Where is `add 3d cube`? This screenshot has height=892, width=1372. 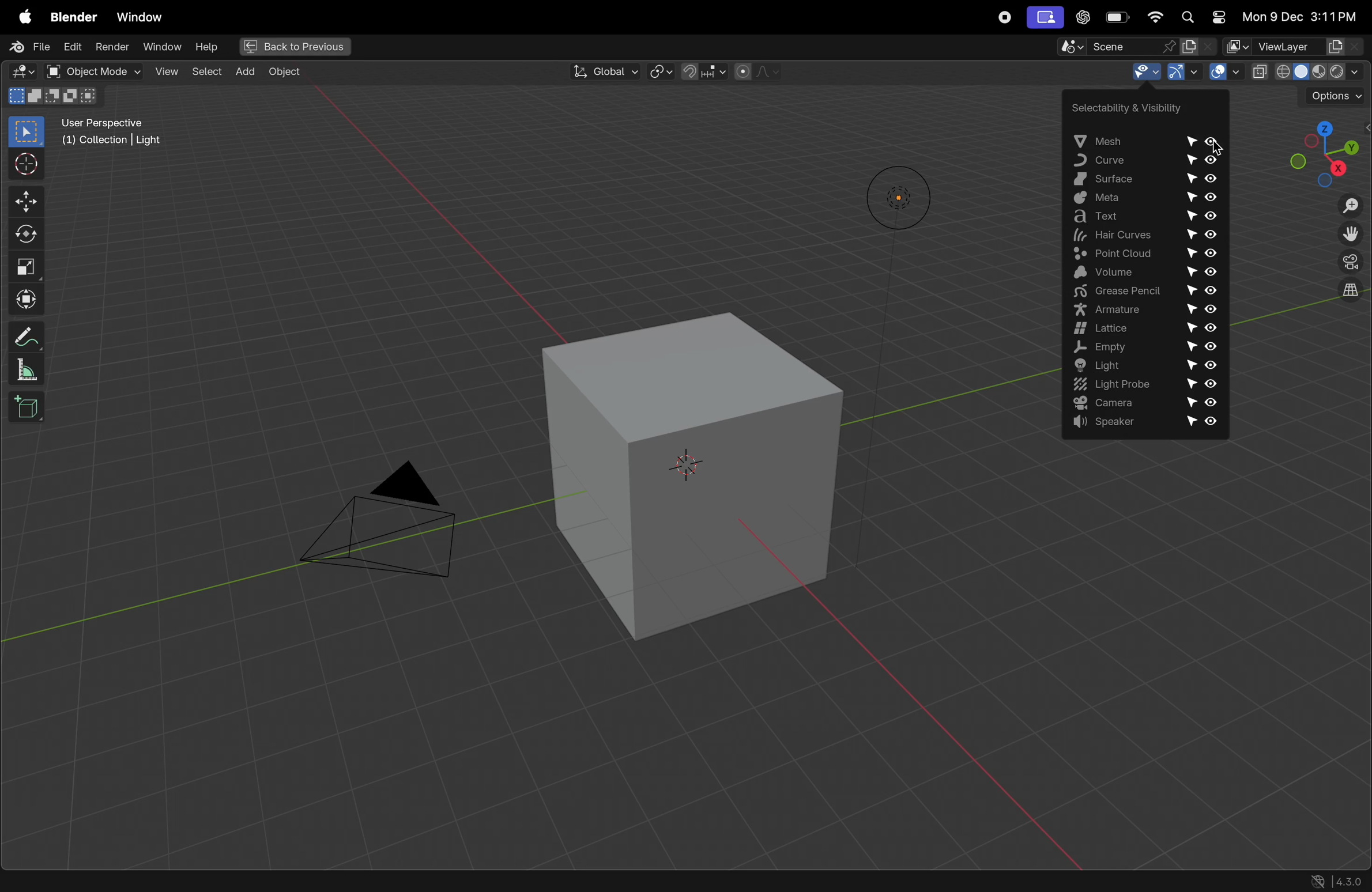
add 3d cube is located at coordinates (31, 406).